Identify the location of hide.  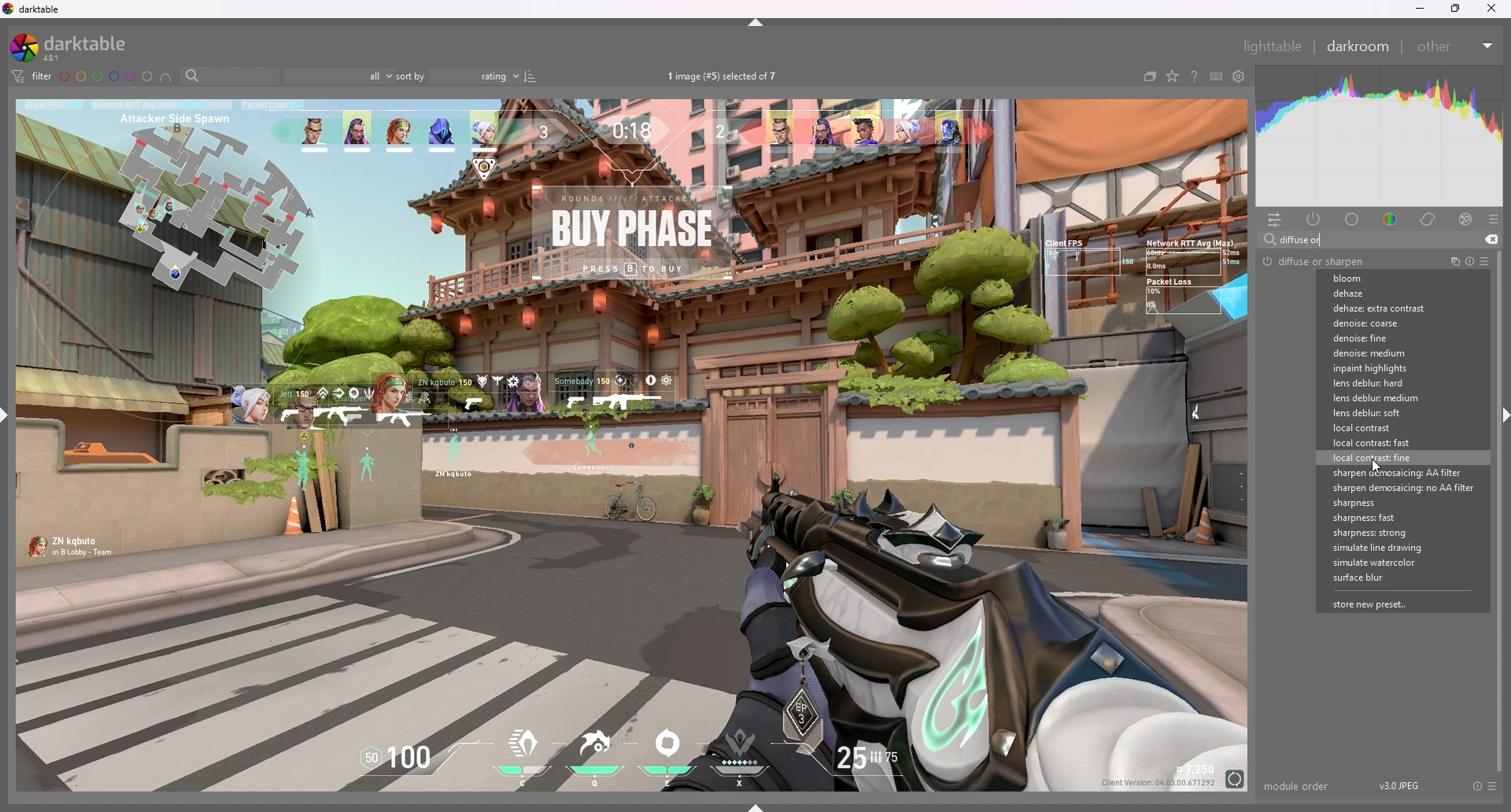
(757, 23).